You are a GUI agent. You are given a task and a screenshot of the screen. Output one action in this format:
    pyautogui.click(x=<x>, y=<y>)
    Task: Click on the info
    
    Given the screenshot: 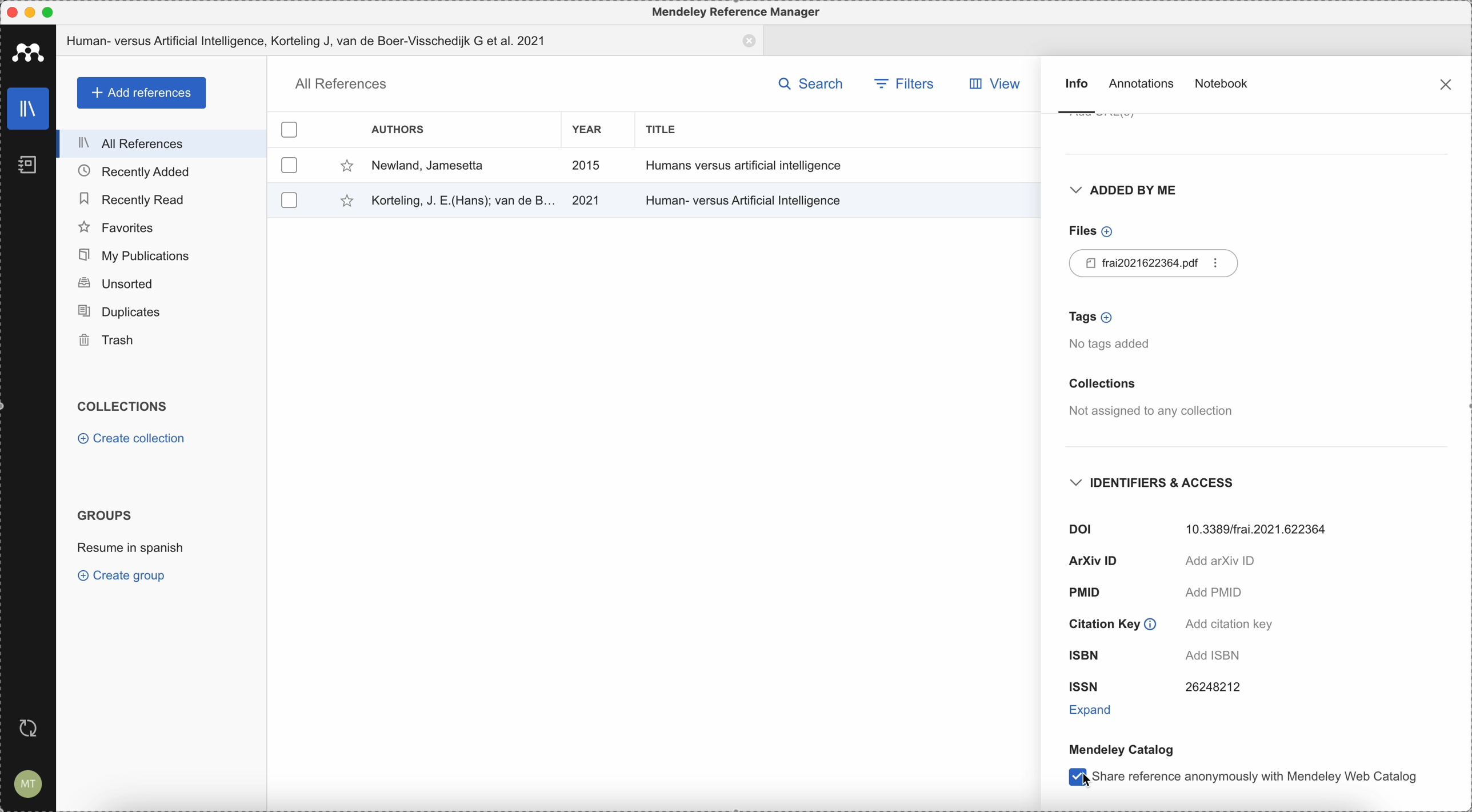 What is the action you would take?
    pyautogui.click(x=1075, y=95)
    